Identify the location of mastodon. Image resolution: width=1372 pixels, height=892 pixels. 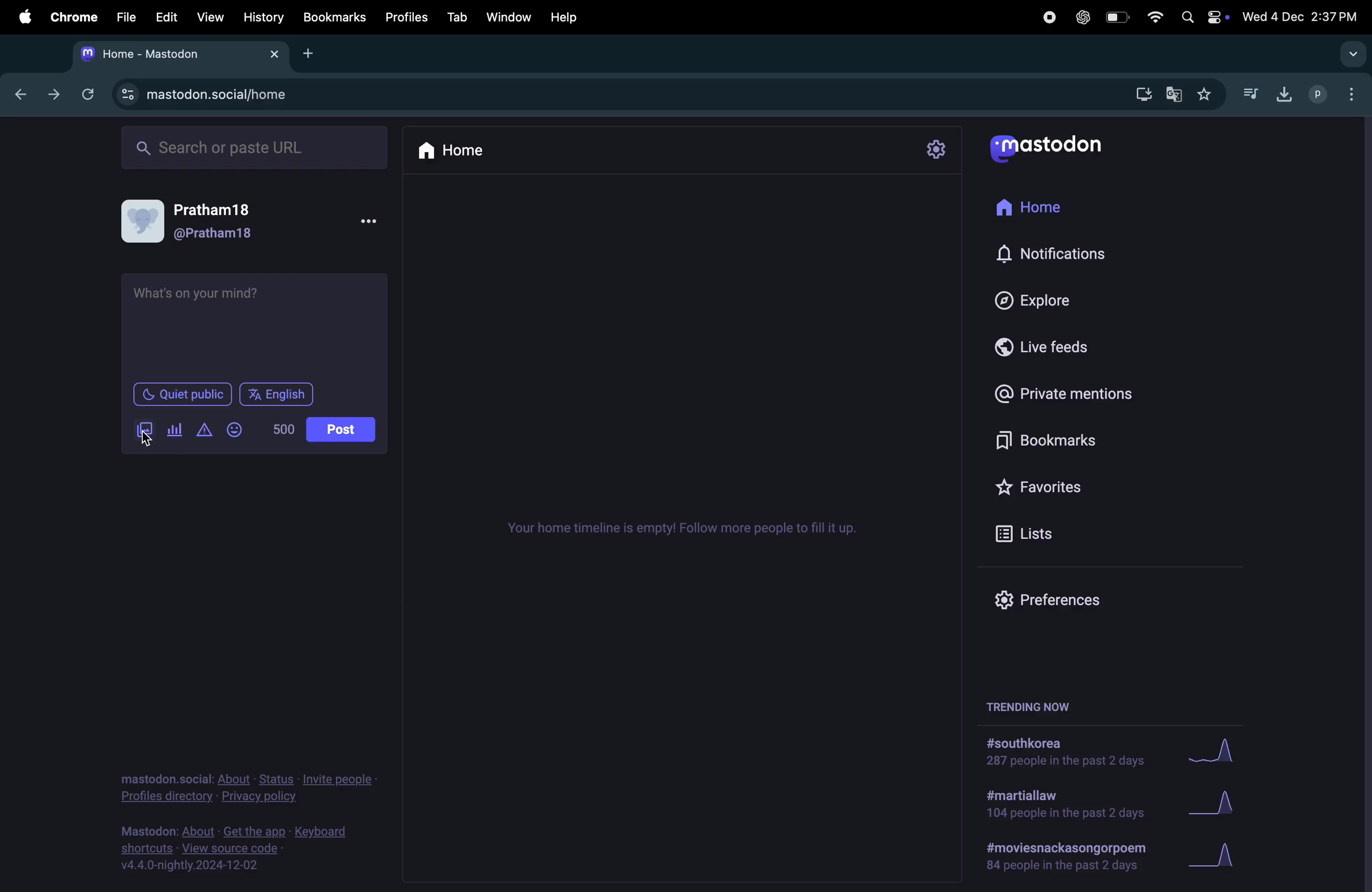
(1046, 144).